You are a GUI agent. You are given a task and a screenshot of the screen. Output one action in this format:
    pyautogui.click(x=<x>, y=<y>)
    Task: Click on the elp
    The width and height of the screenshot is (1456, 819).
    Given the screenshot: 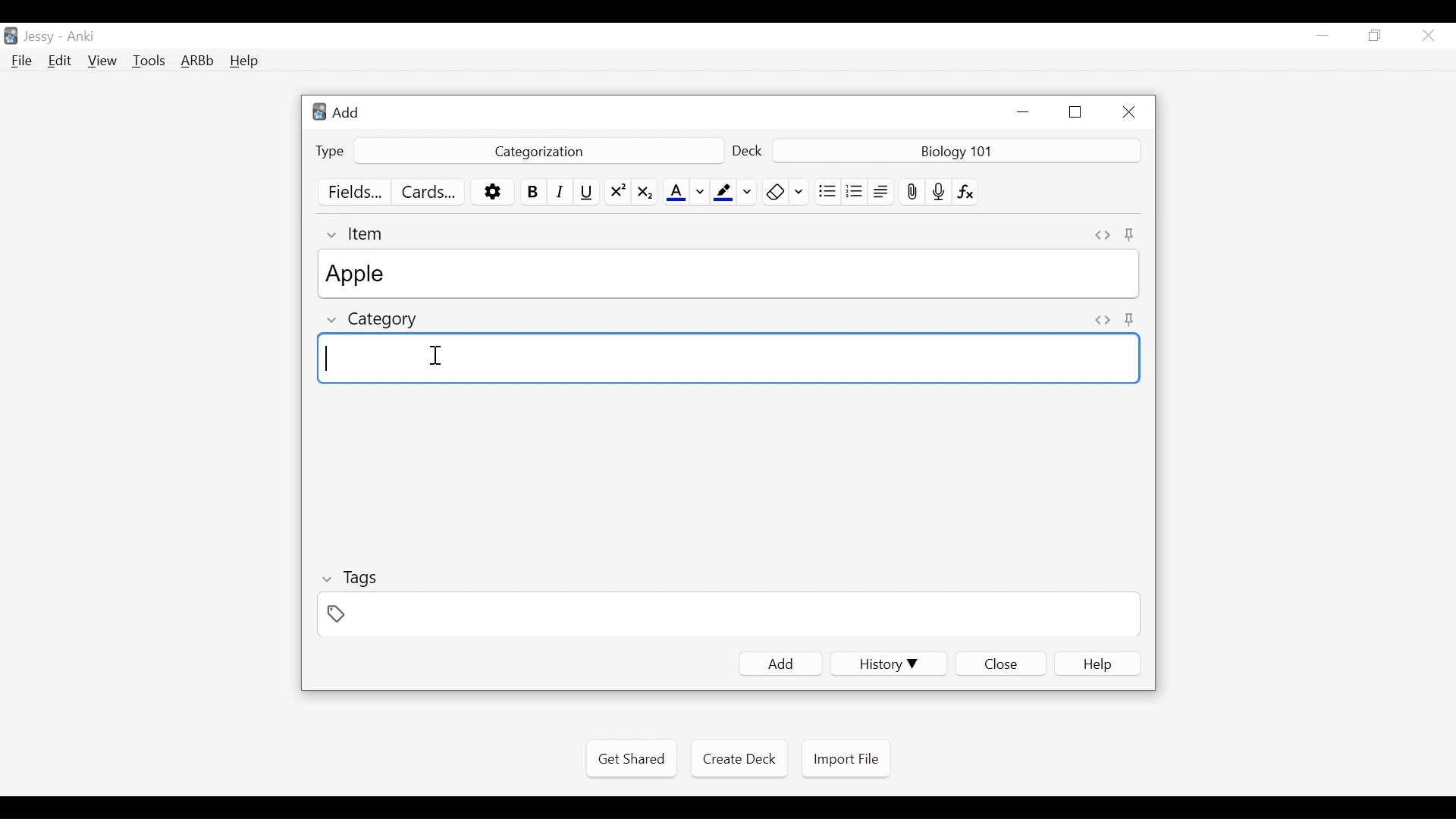 What is the action you would take?
    pyautogui.click(x=1099, y=664)
    